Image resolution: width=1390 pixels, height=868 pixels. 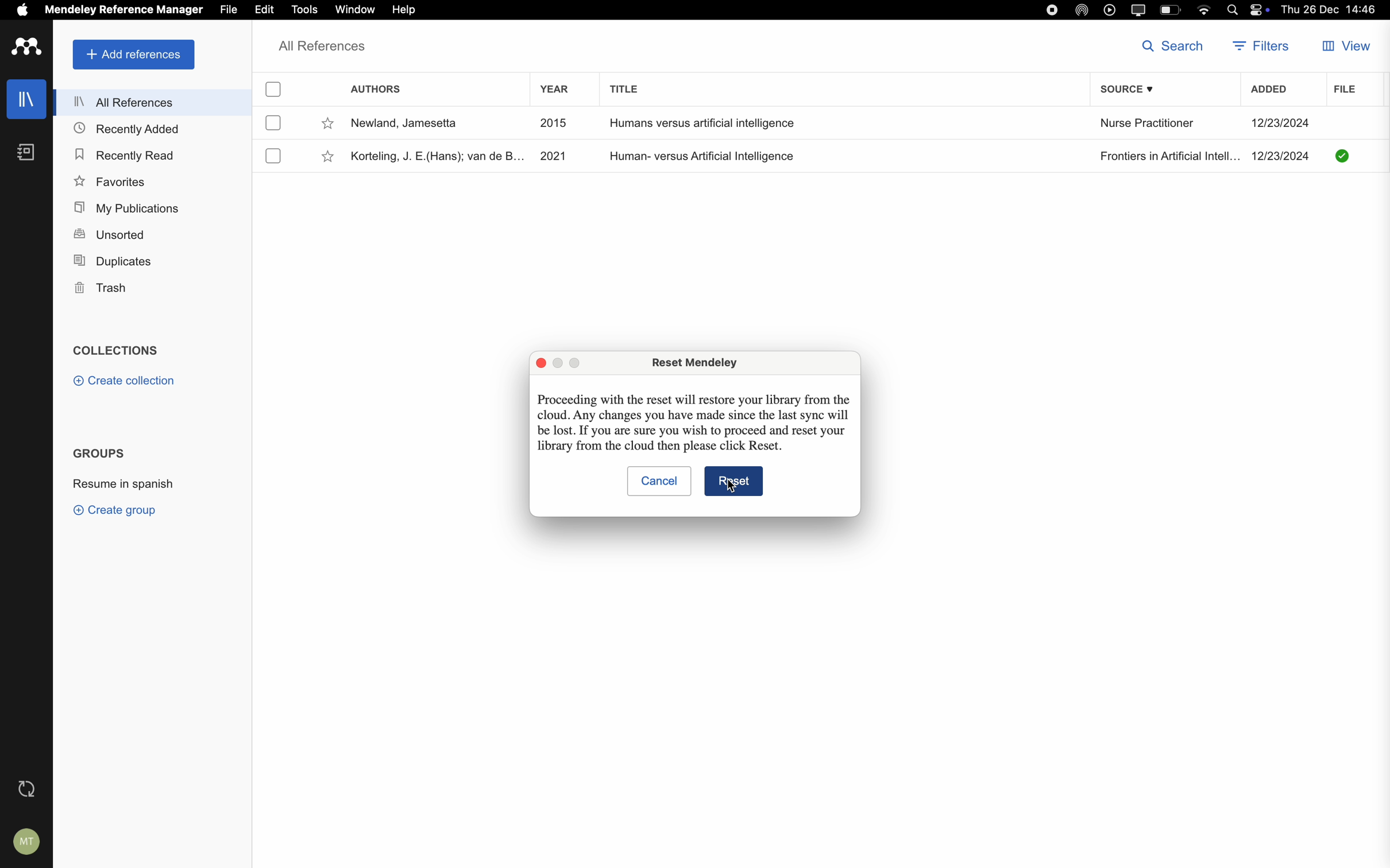 What do you see at coordinates (24, 9) in the screenshot?
I see `Apple icon` at bounding box center [24, 9].